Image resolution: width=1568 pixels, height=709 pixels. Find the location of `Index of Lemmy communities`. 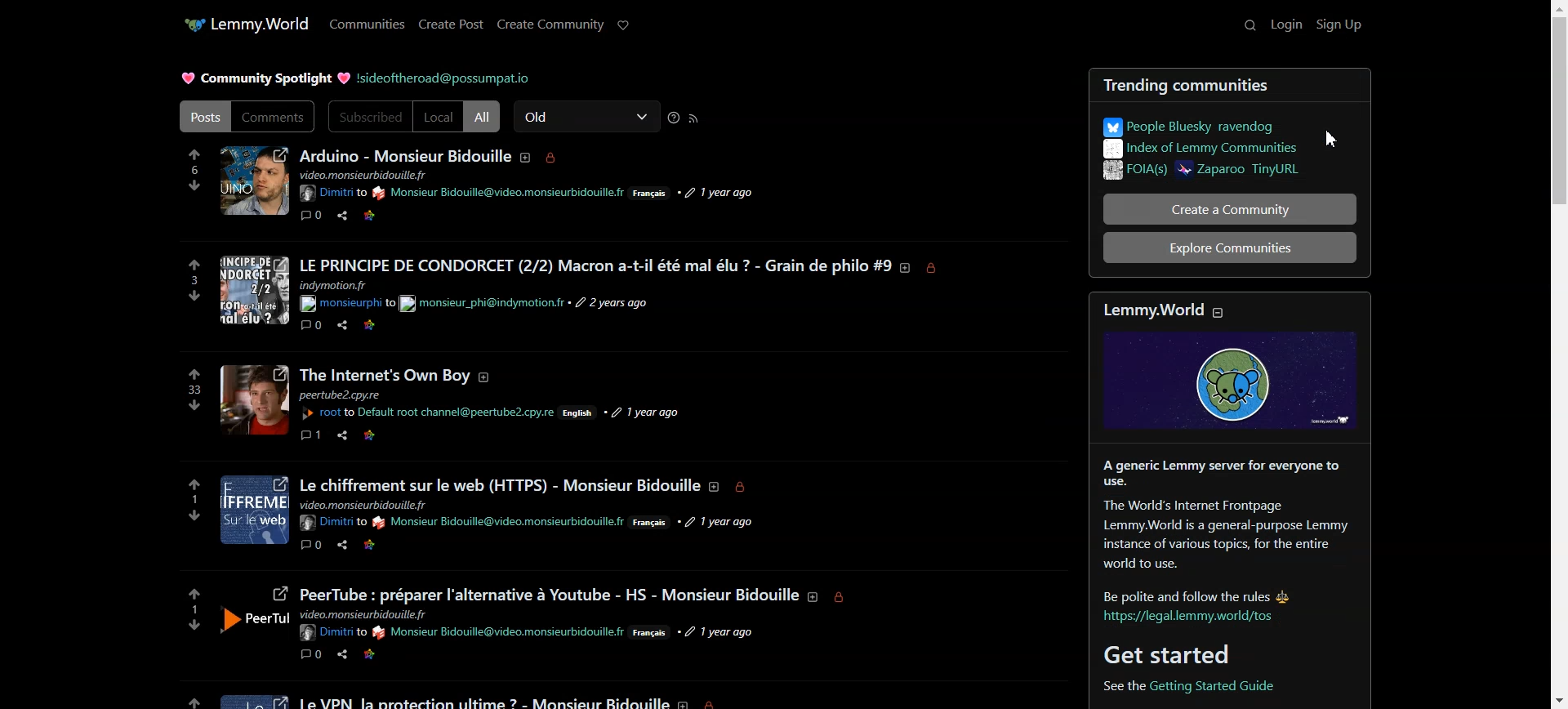

Index of Lemmy communities is located at coordinates (1203, 151).